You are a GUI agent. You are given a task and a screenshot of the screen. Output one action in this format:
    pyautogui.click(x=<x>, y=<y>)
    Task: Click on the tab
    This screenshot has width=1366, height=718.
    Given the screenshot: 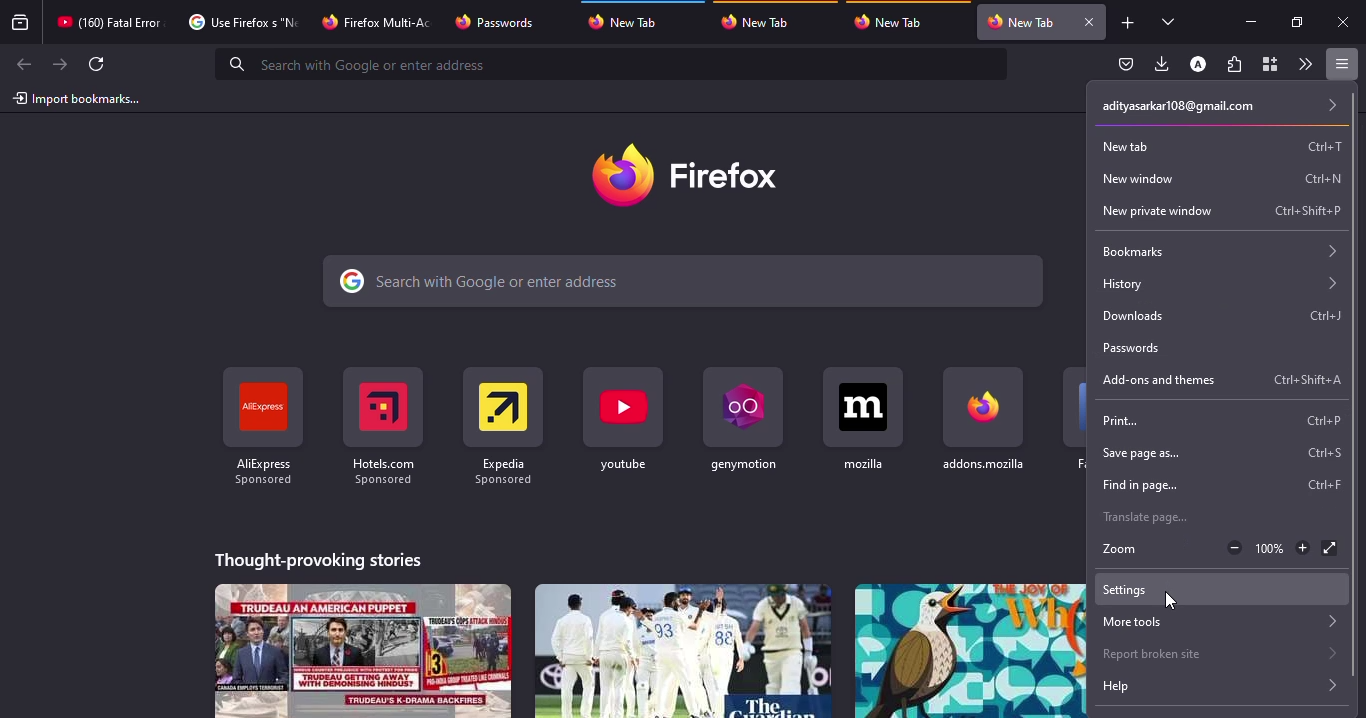 What is the action you would take?
    pyautogui.click(x=1021, y=22)
    